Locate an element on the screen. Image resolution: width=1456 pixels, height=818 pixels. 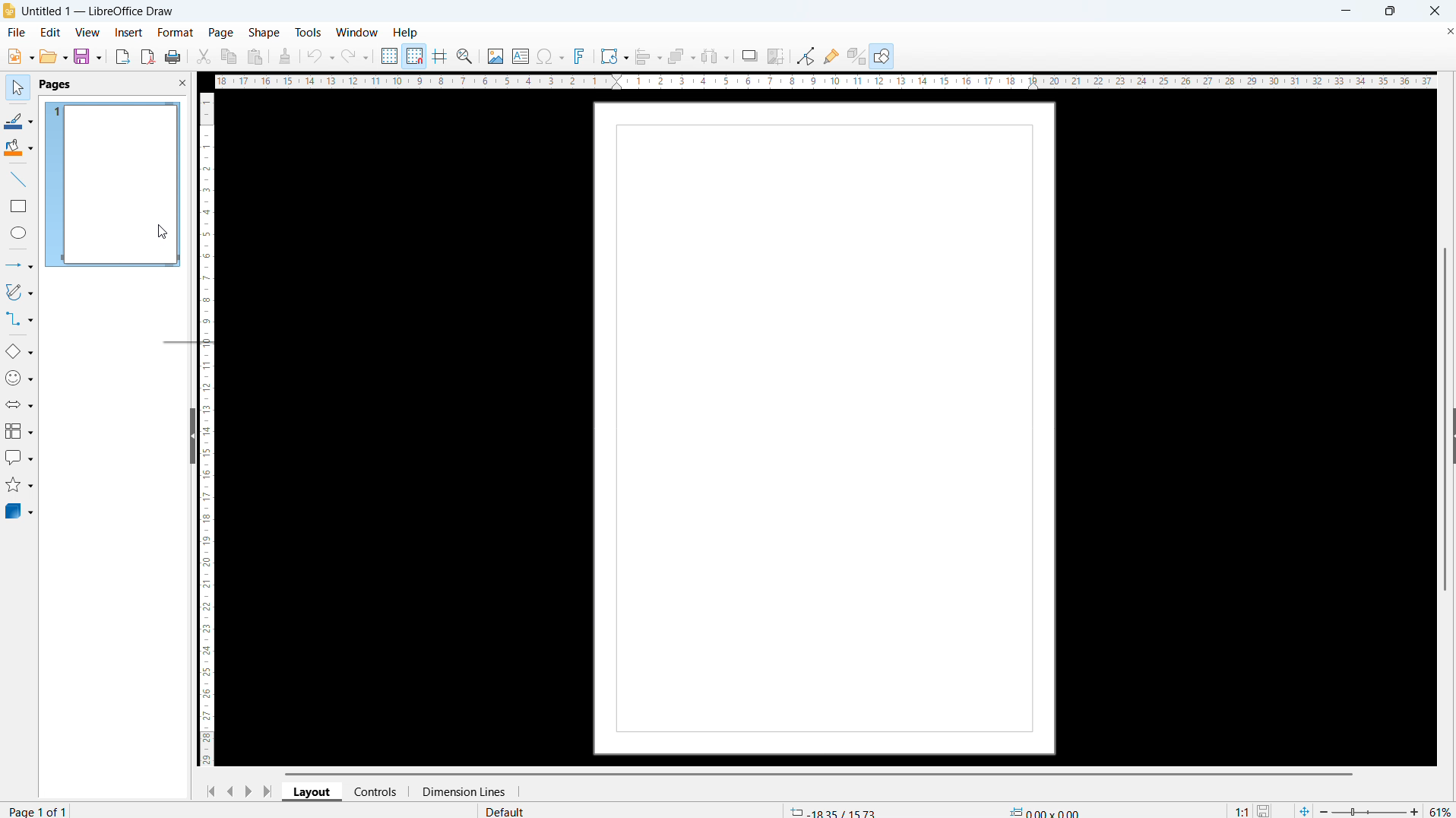
format is located at coordinates (176, 33).